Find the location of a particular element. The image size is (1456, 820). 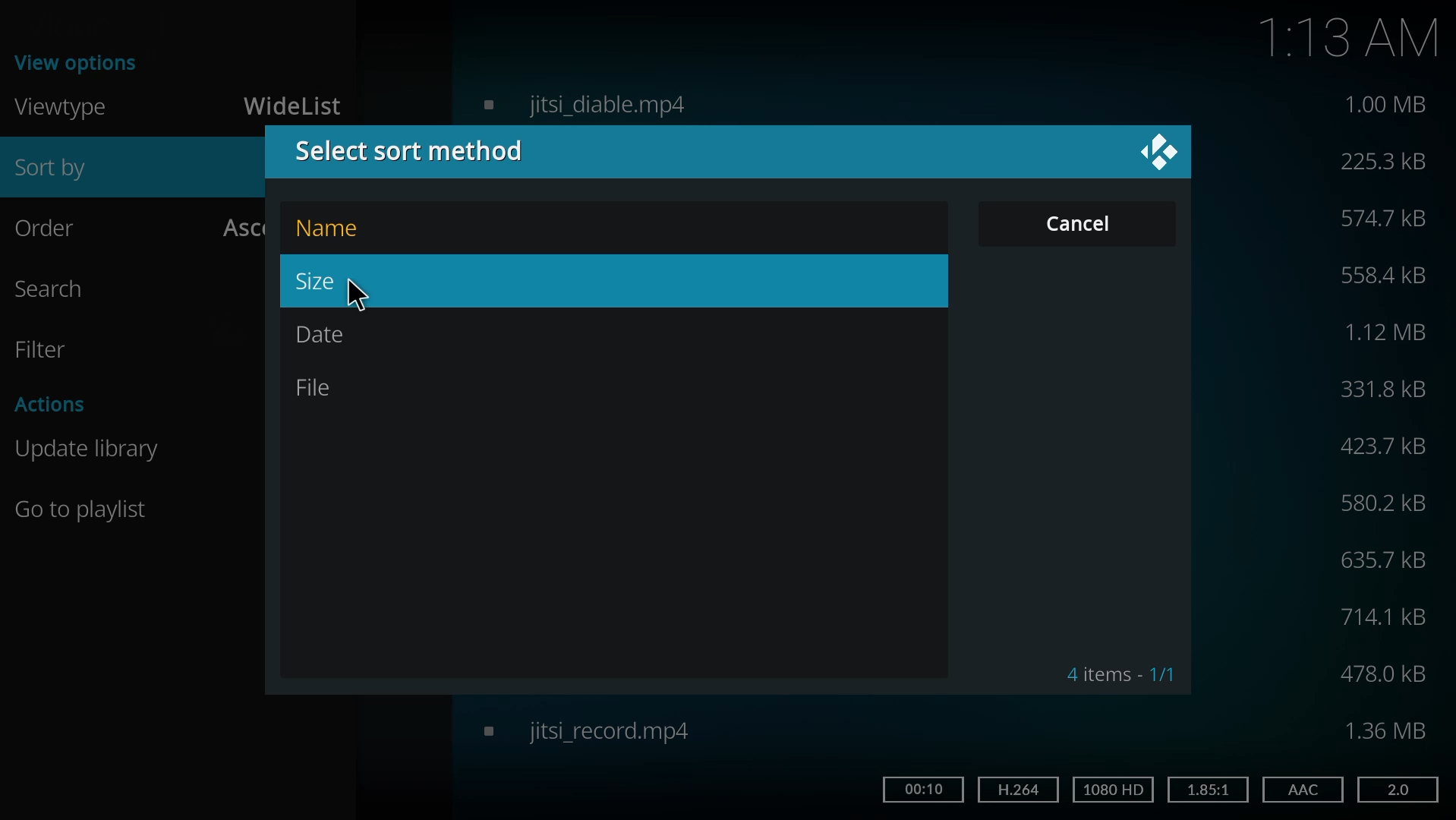

view is located at coordinates (80, 62).